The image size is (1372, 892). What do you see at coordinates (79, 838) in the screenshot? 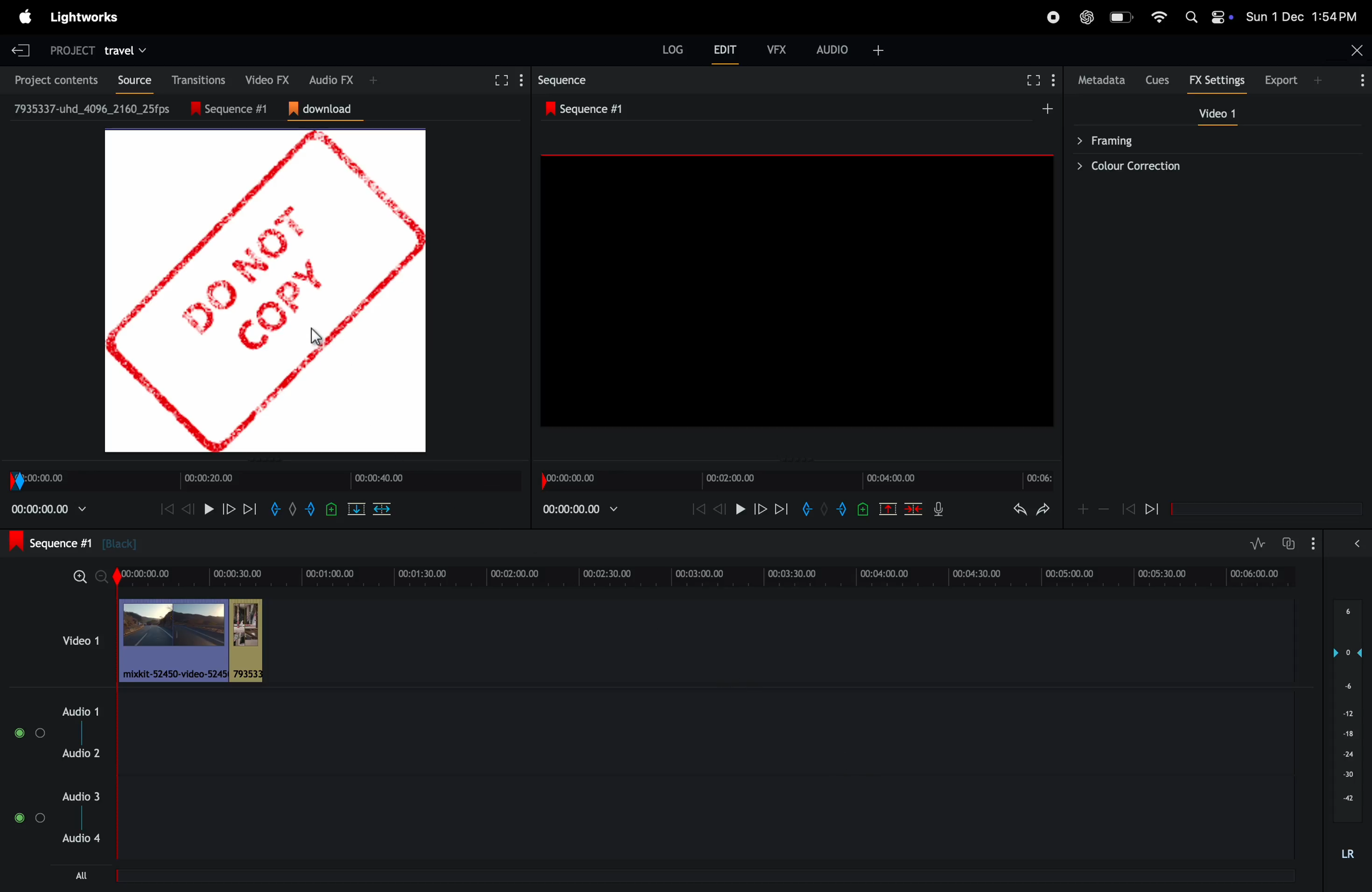
I see `audio 4` at bounding box center [79, 838].